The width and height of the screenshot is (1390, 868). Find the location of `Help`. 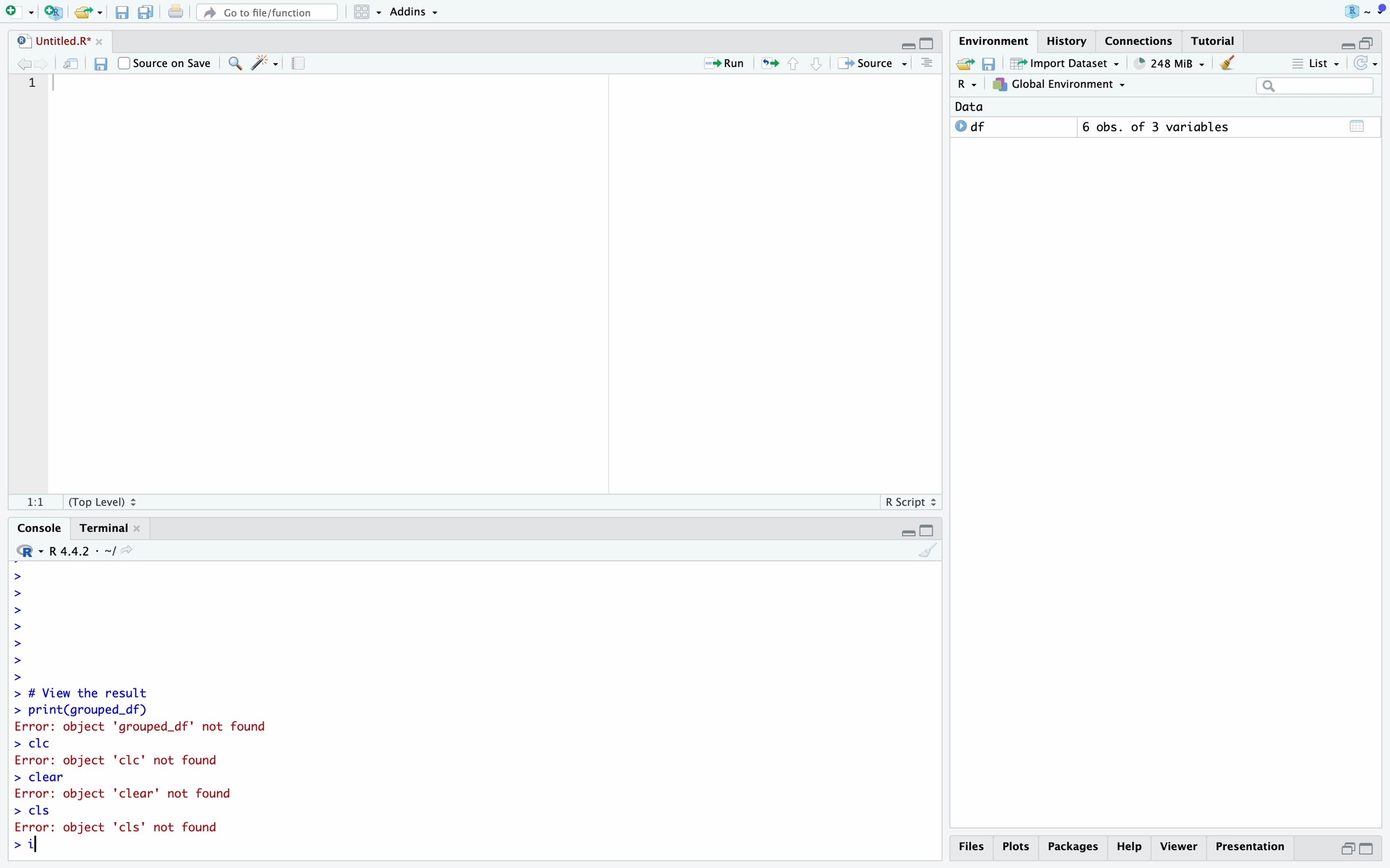

Help is located at coordinates (1130, 847).